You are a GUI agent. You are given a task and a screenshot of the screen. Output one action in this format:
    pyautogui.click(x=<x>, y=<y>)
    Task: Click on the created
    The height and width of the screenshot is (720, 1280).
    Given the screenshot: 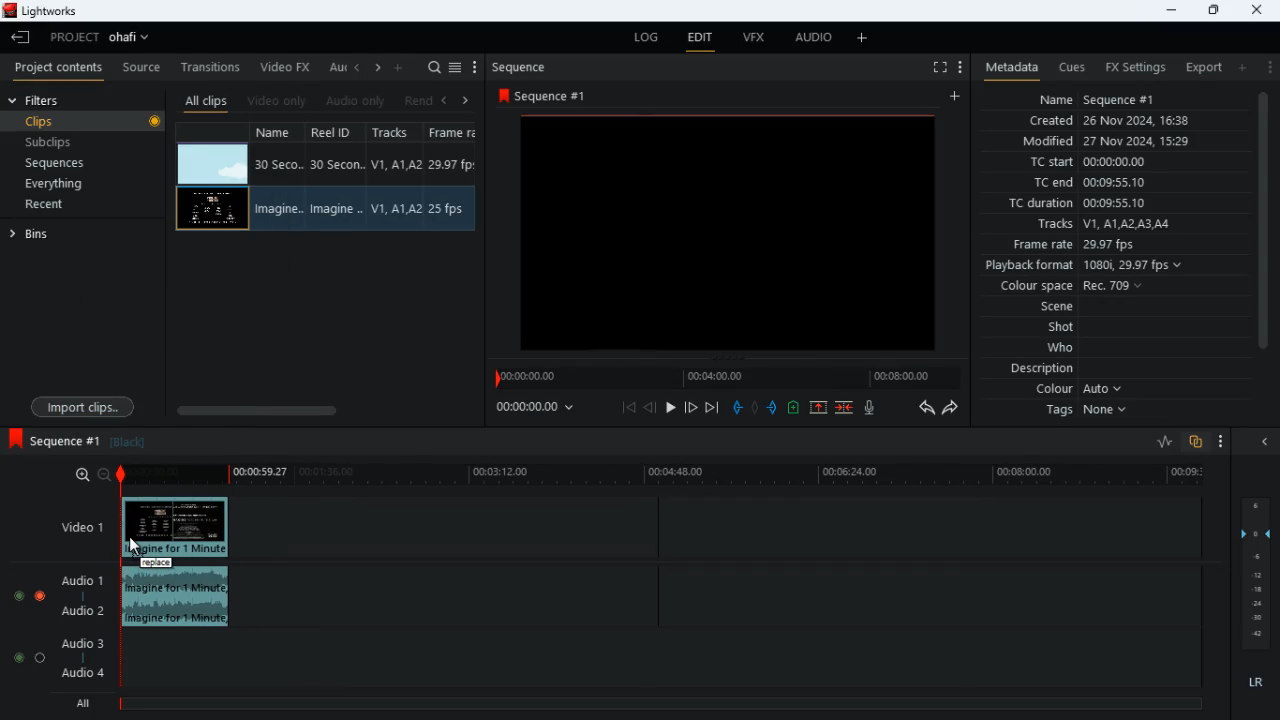 What is the action you would take?
    pyautogui.click(x=1111, y=122)
    